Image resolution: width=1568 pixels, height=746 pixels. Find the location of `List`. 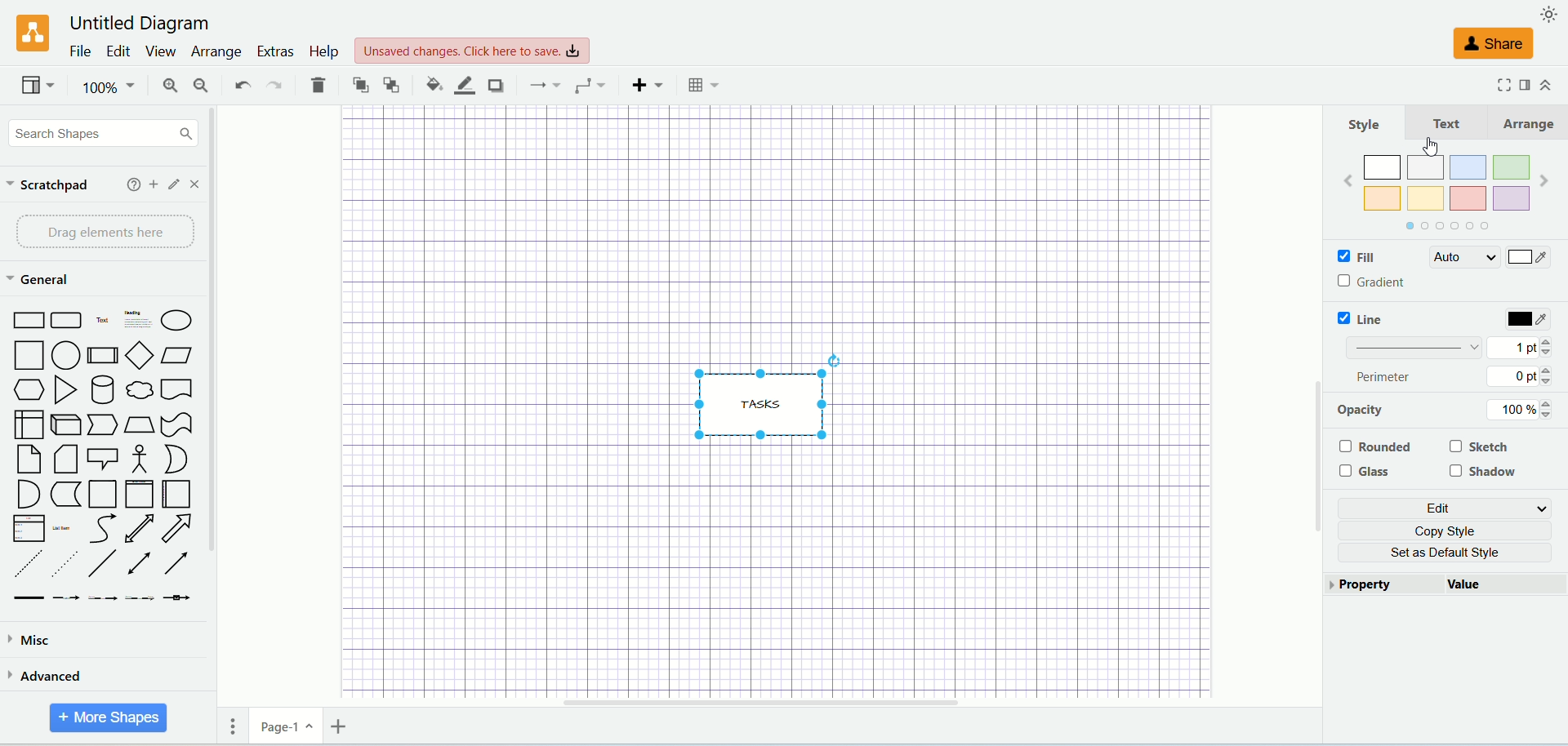

List is located at coordinates (29, 528).